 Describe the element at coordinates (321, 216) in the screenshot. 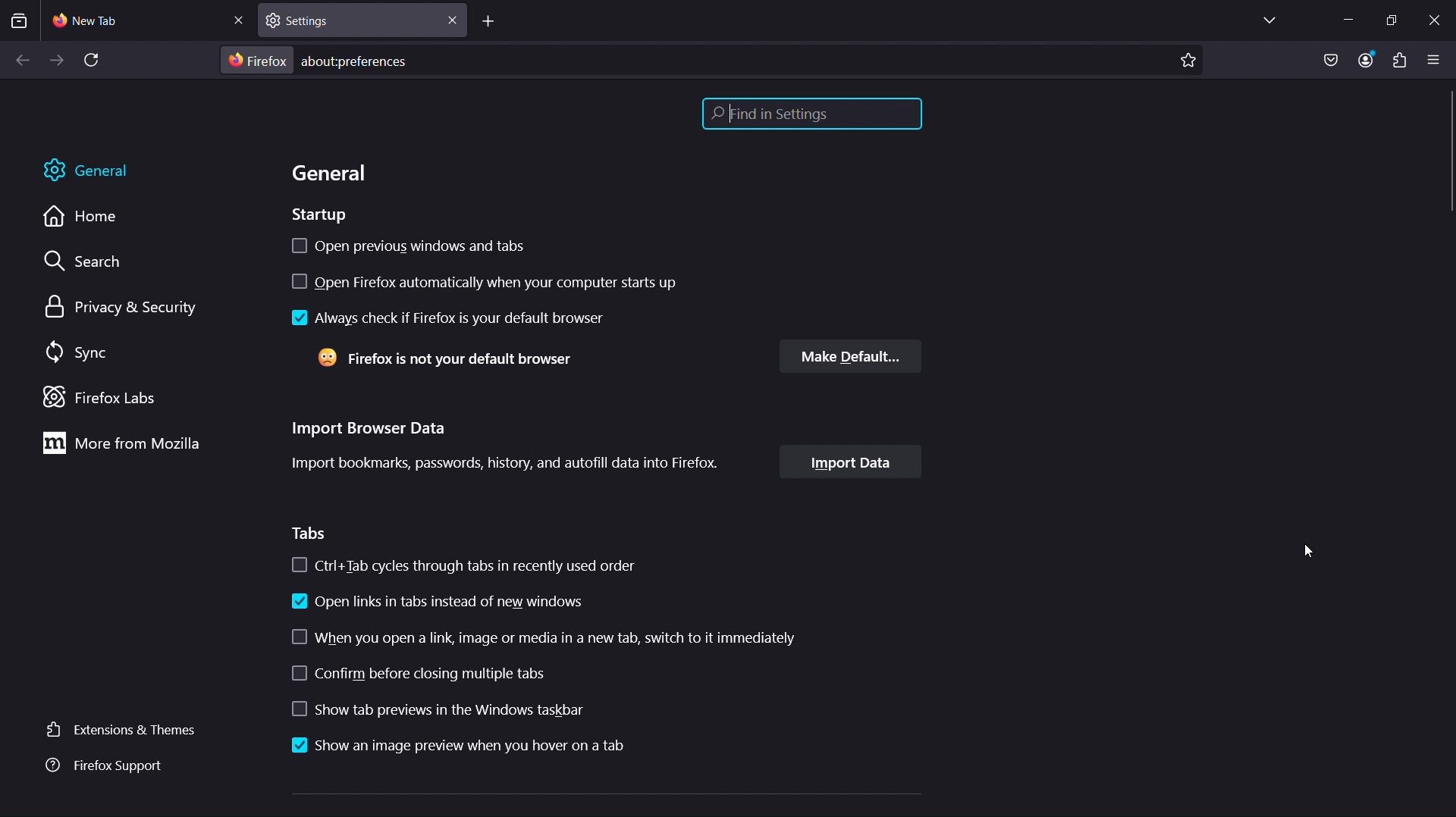

I see `Startup` at that location.